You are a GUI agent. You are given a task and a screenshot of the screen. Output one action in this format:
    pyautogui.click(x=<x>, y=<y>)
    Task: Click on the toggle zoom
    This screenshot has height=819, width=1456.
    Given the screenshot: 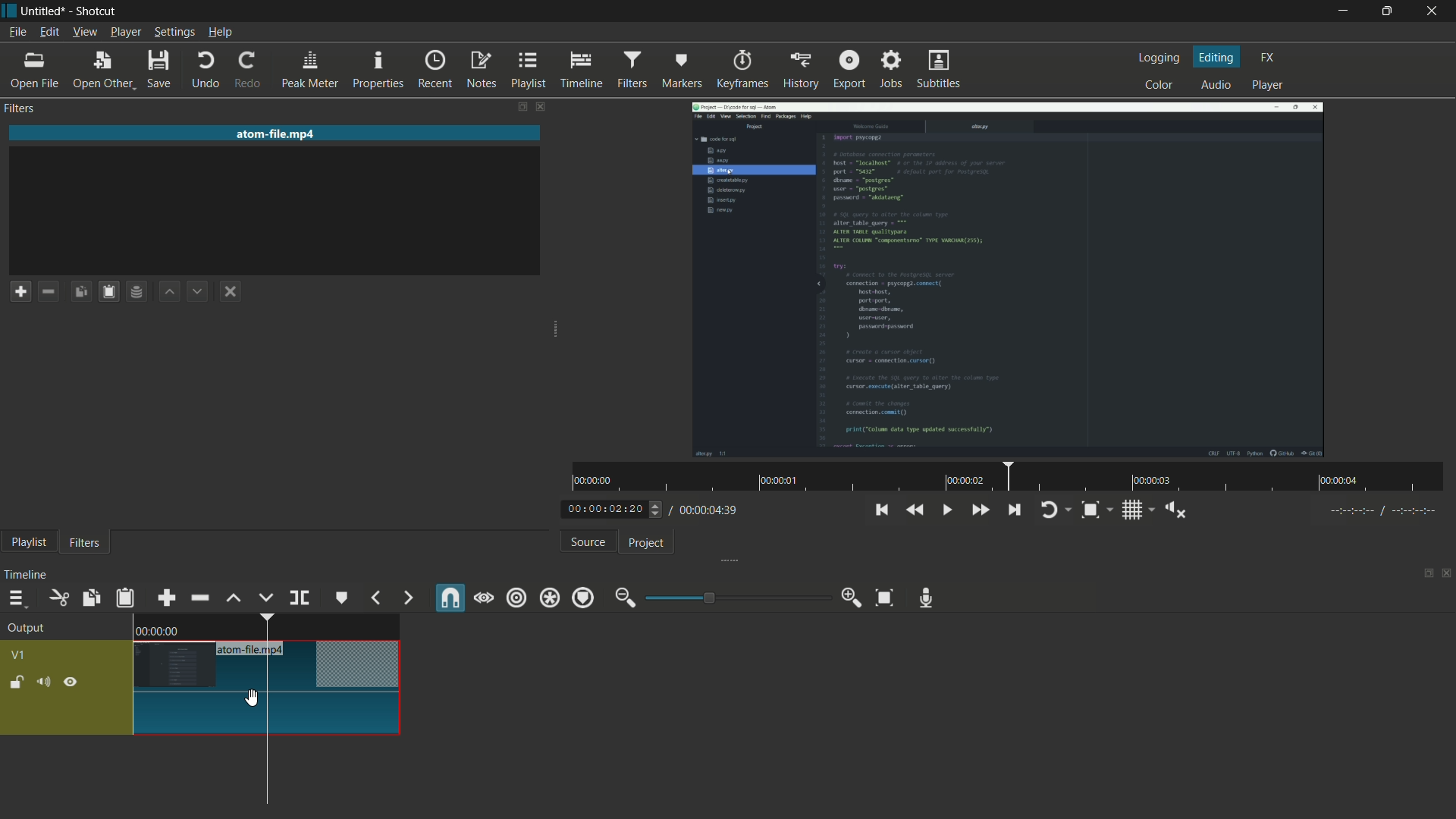 What is the action you would take?
    pyautogui.click(x=1093, y=510)
    